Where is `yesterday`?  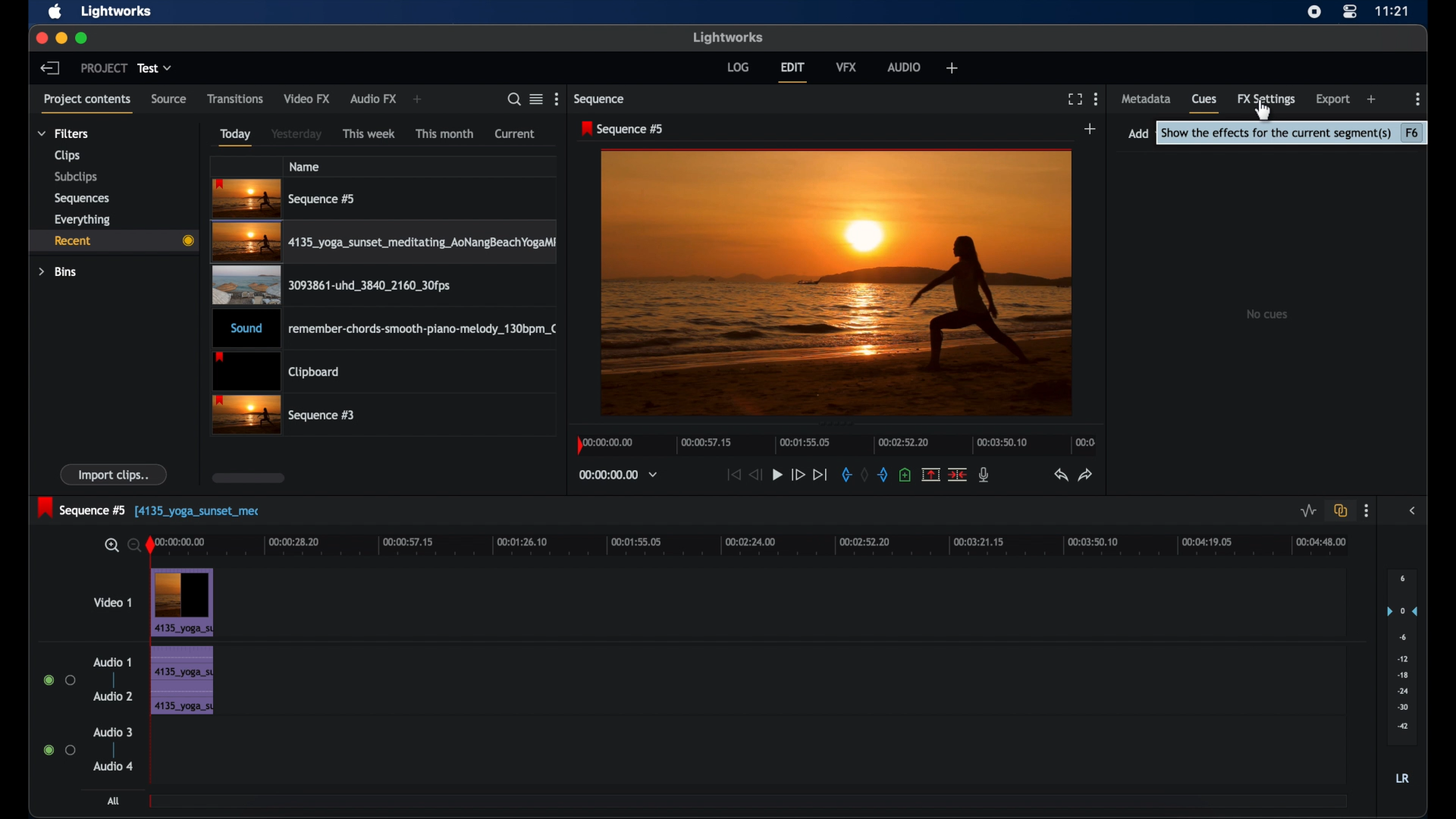
yesterday is located at coordinates (297, 134).